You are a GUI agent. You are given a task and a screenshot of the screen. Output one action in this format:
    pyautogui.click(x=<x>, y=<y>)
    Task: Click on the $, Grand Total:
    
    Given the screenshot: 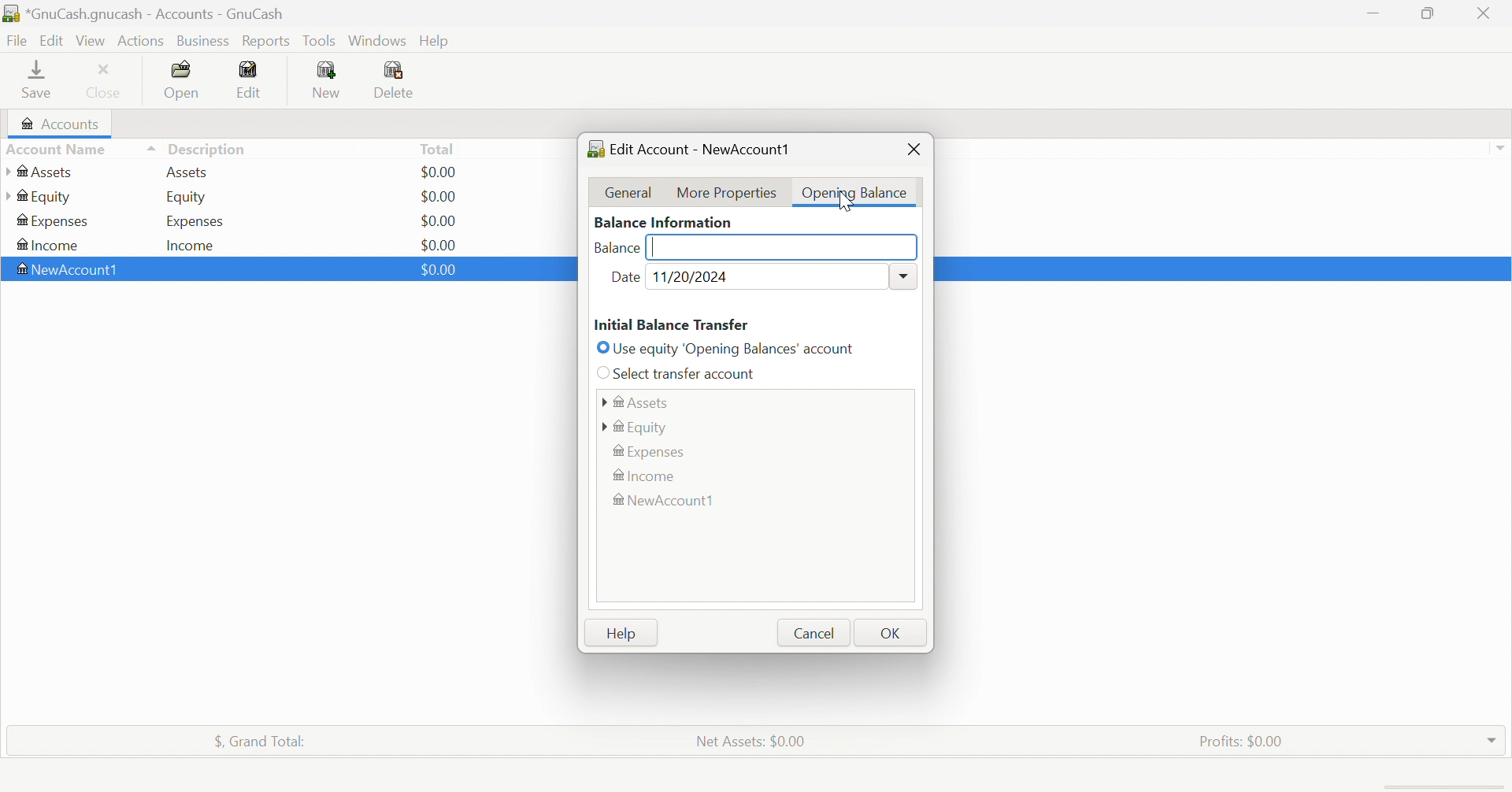 What is the action you would take?
    pyautogui.click(x=264, y=741)
    